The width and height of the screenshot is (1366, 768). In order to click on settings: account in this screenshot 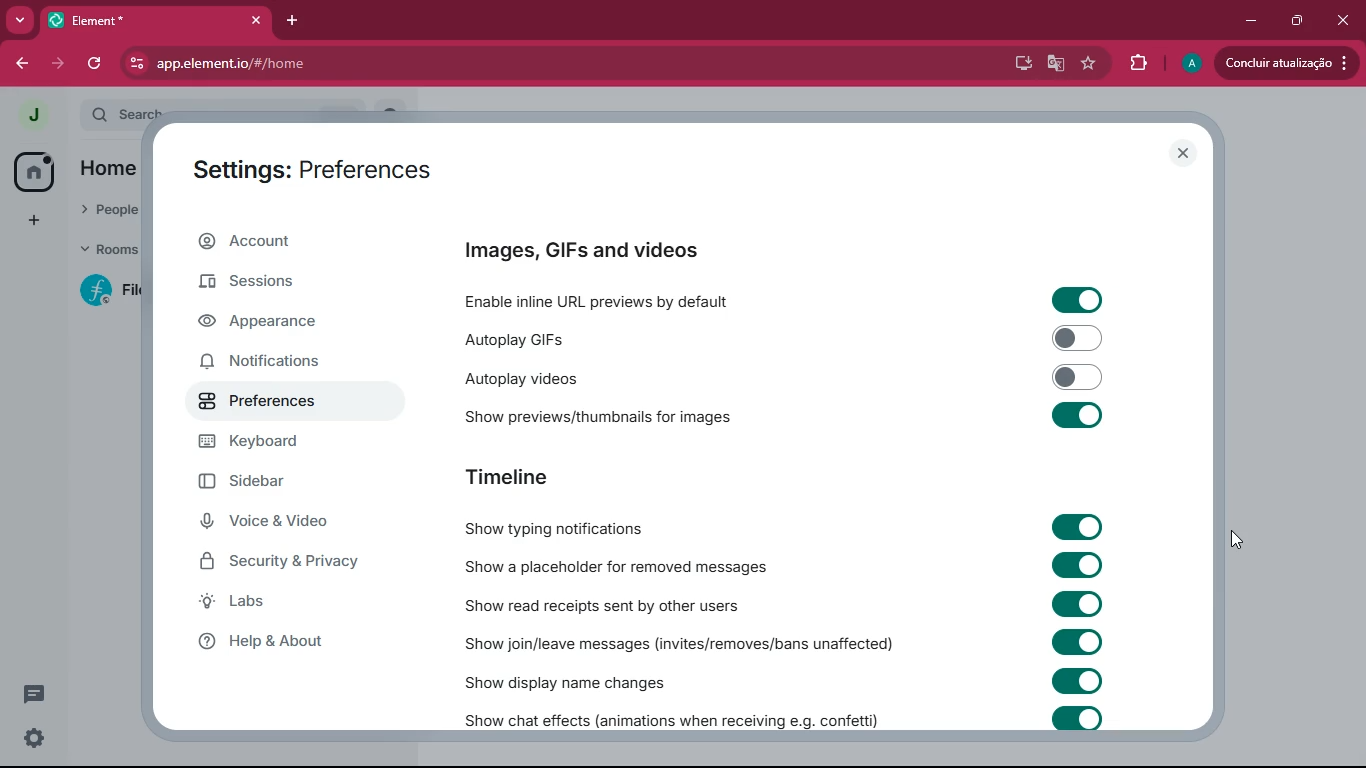, I will do `click(315, 173)`.